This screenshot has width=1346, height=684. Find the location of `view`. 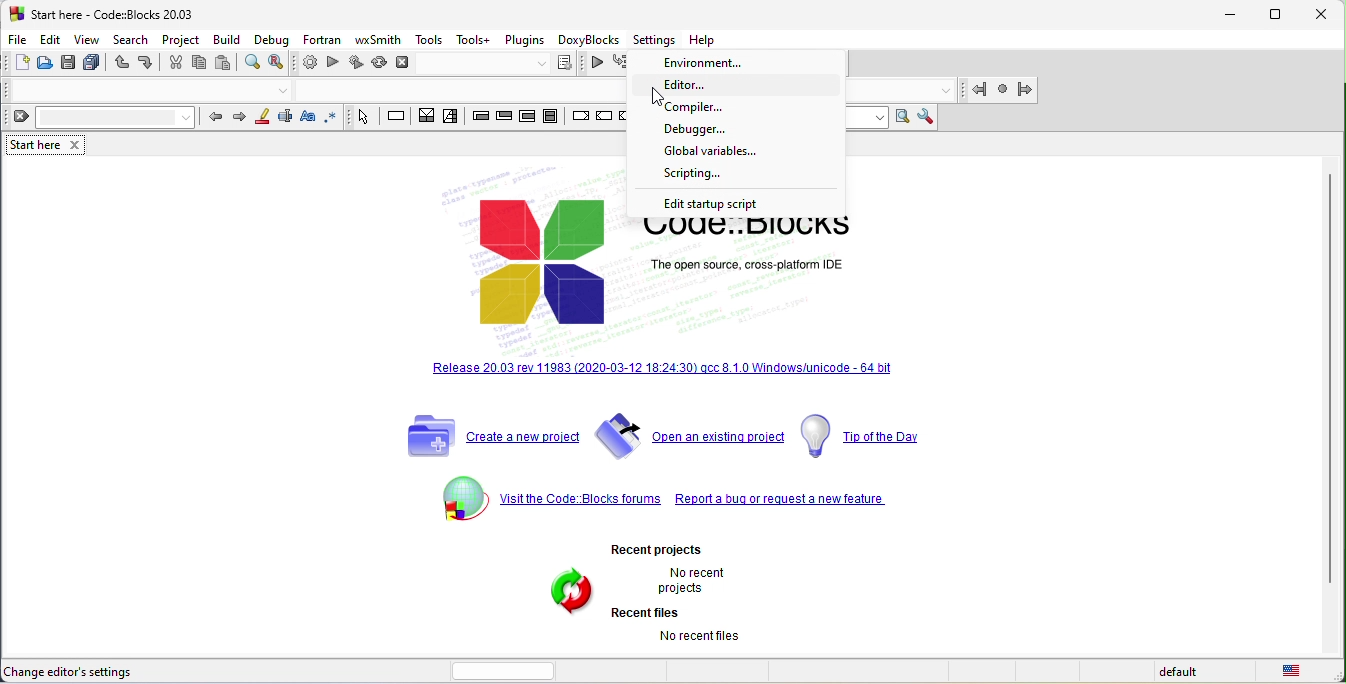

view is located at coordinates (87, 40).